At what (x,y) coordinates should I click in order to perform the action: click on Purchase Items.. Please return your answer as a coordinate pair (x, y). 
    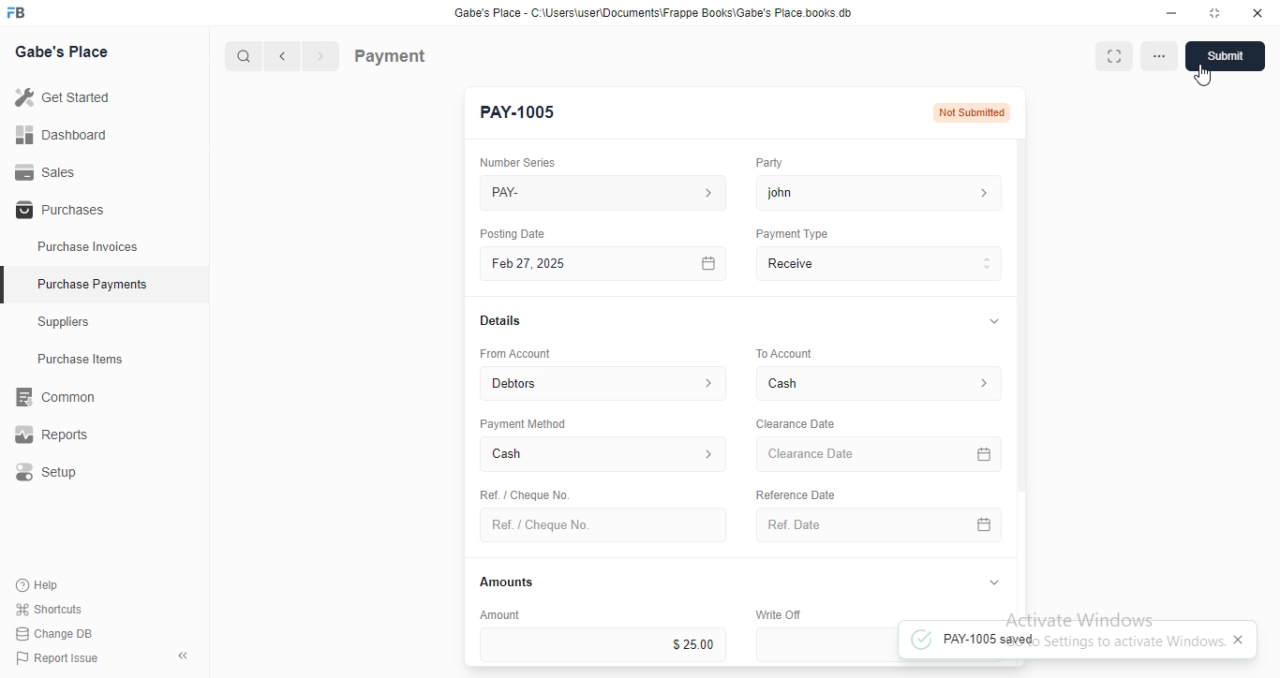
    Looking at the image, I should click on (87, 361).